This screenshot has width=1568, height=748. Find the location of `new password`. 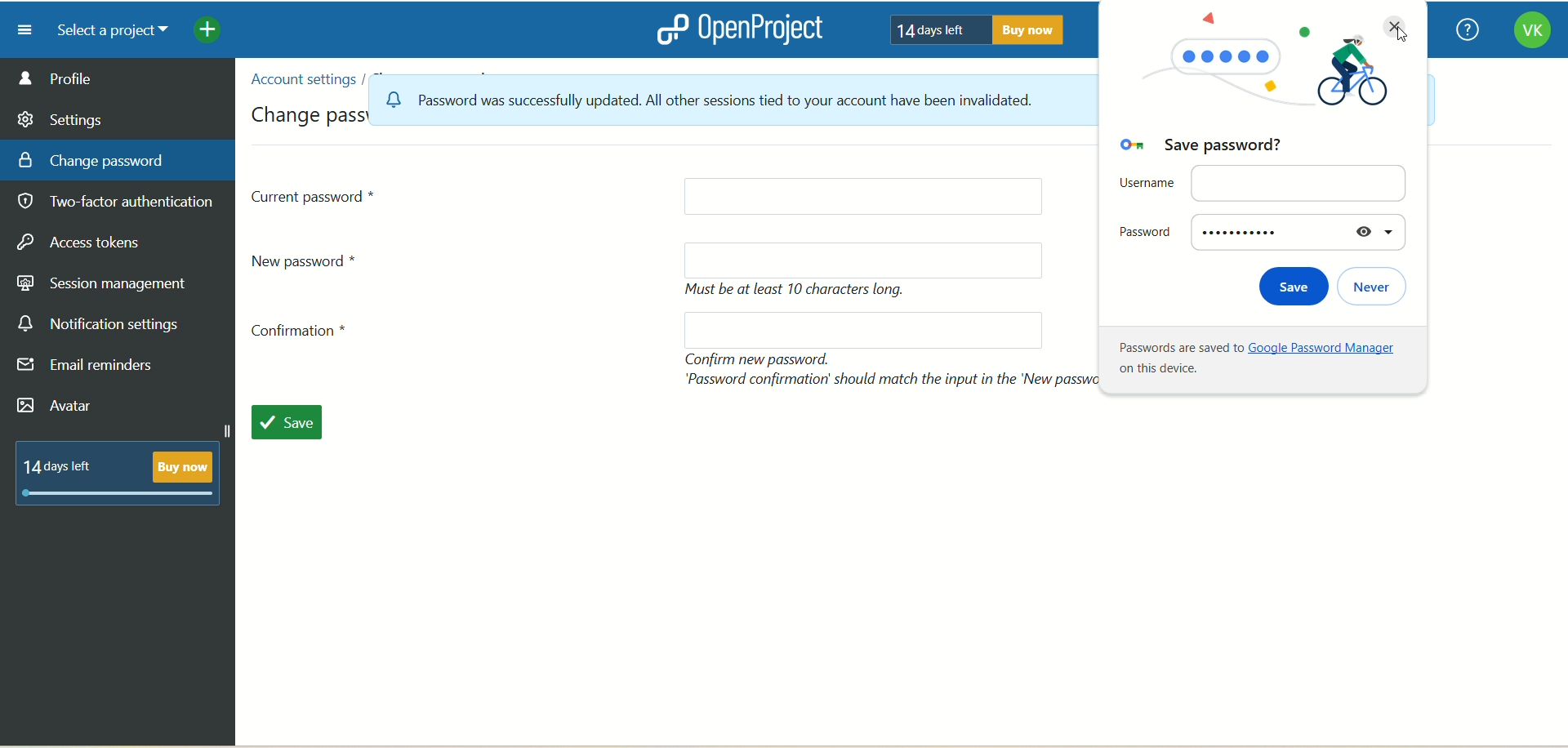

new password is located at coordinates (864, 260).